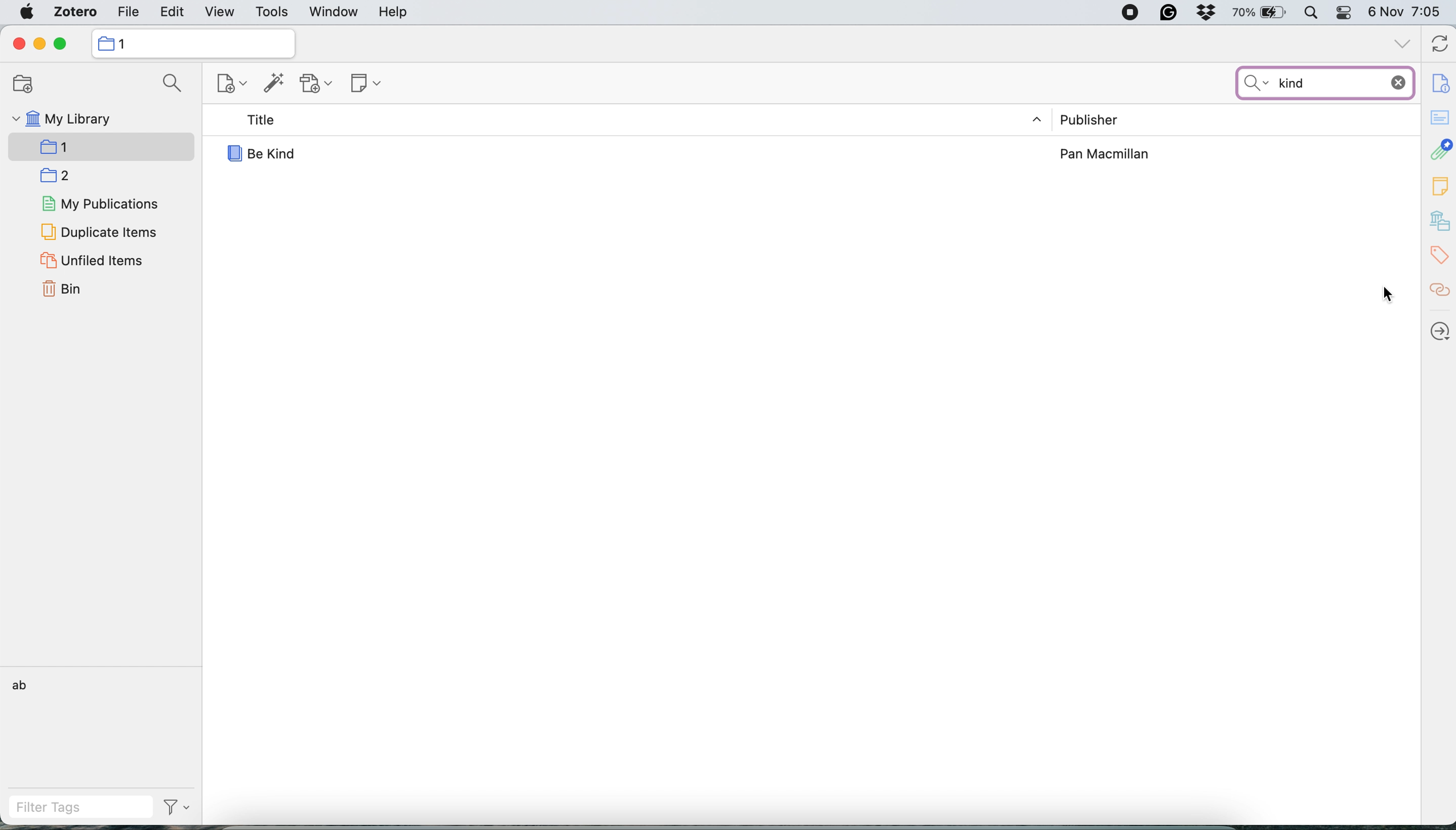 The height and width of the screenshot is (830, 1456). Describe the element at coordinates (27, 82) in the screenshot. I see `new collection` at that location.